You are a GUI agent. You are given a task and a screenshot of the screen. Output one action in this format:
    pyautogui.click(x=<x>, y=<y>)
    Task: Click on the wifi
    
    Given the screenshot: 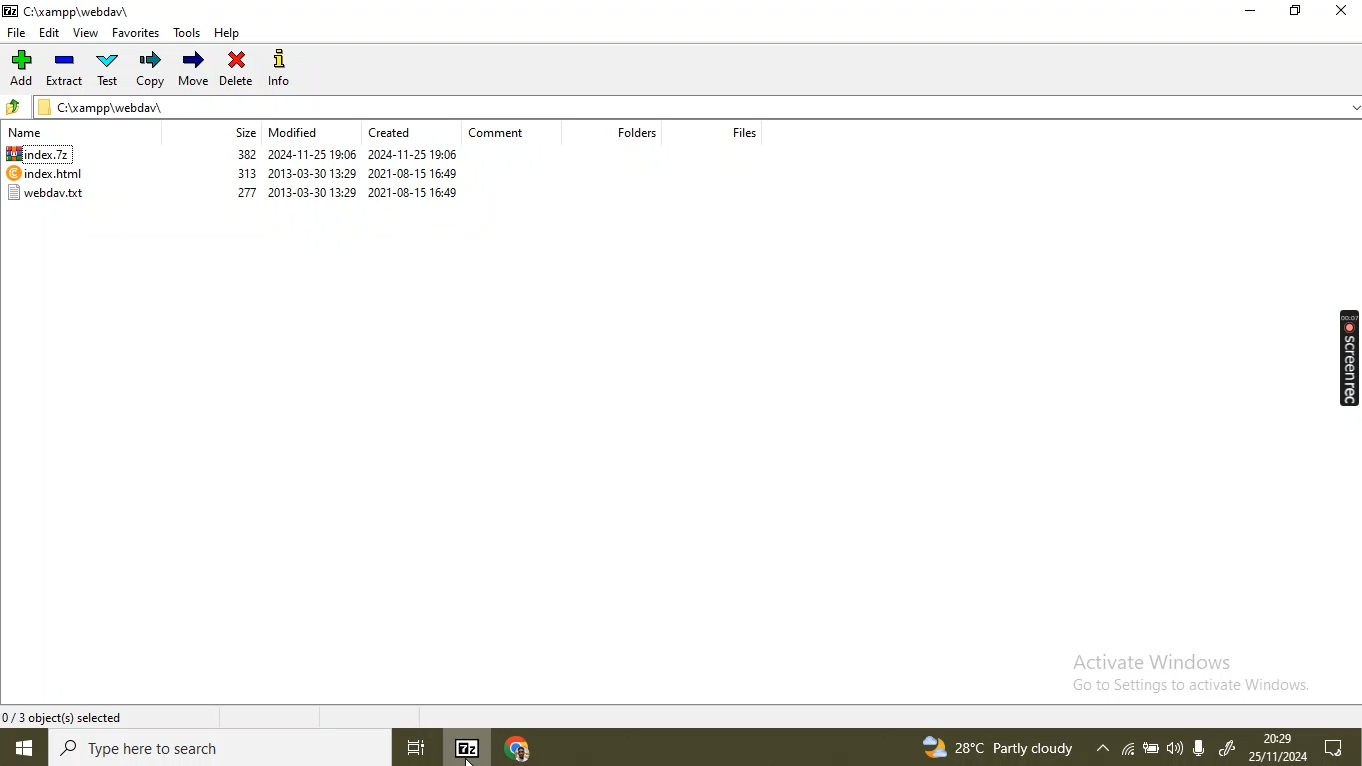 What is the action you would take?
    pyautogui.click(x=1127, y=751)
    